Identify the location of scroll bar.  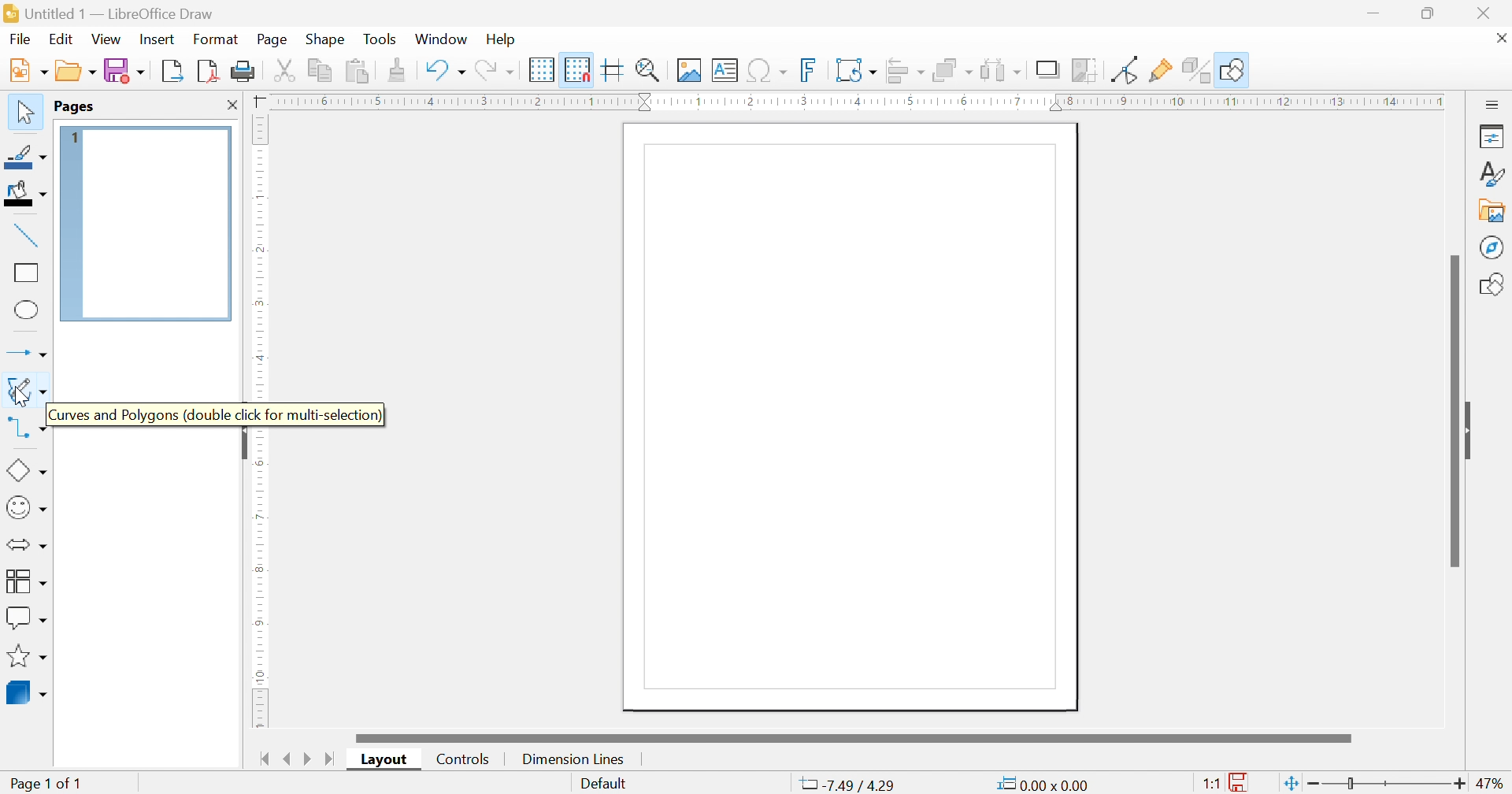
(1453, 408).